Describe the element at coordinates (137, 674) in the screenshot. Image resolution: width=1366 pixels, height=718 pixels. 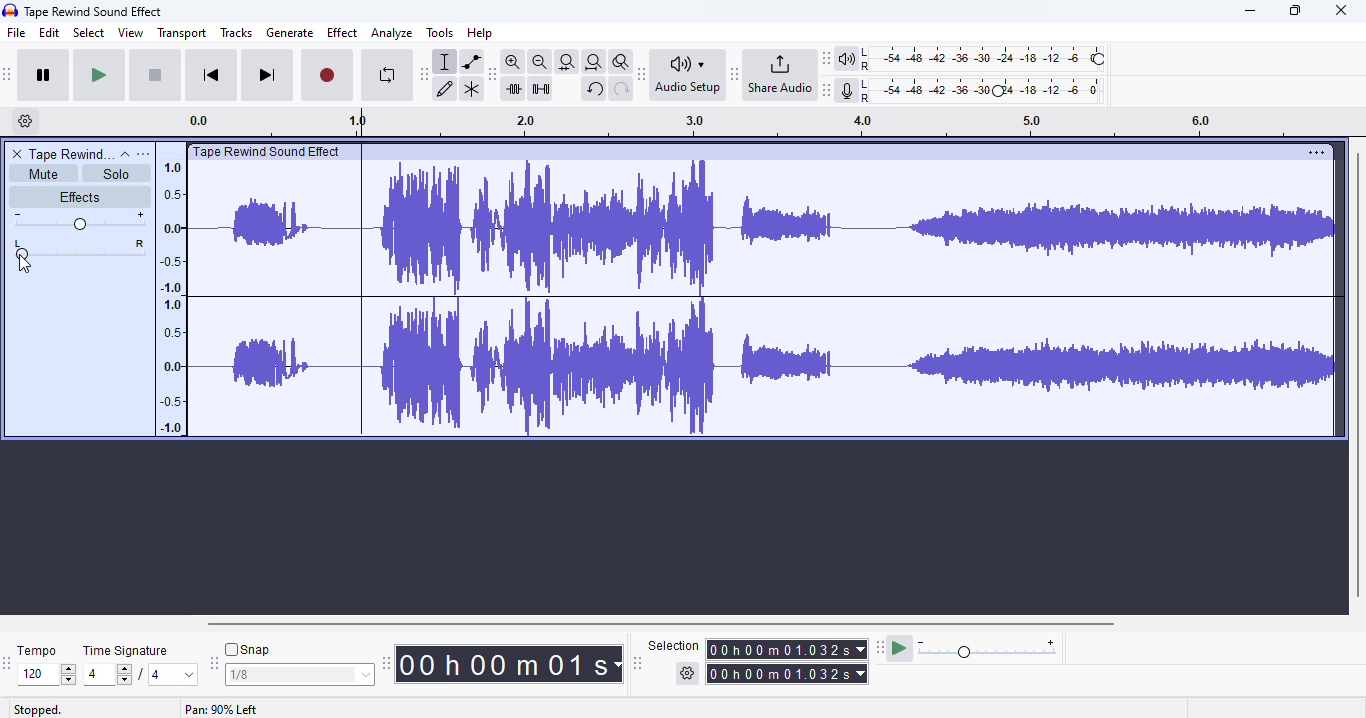
I see `4/4` at that location.